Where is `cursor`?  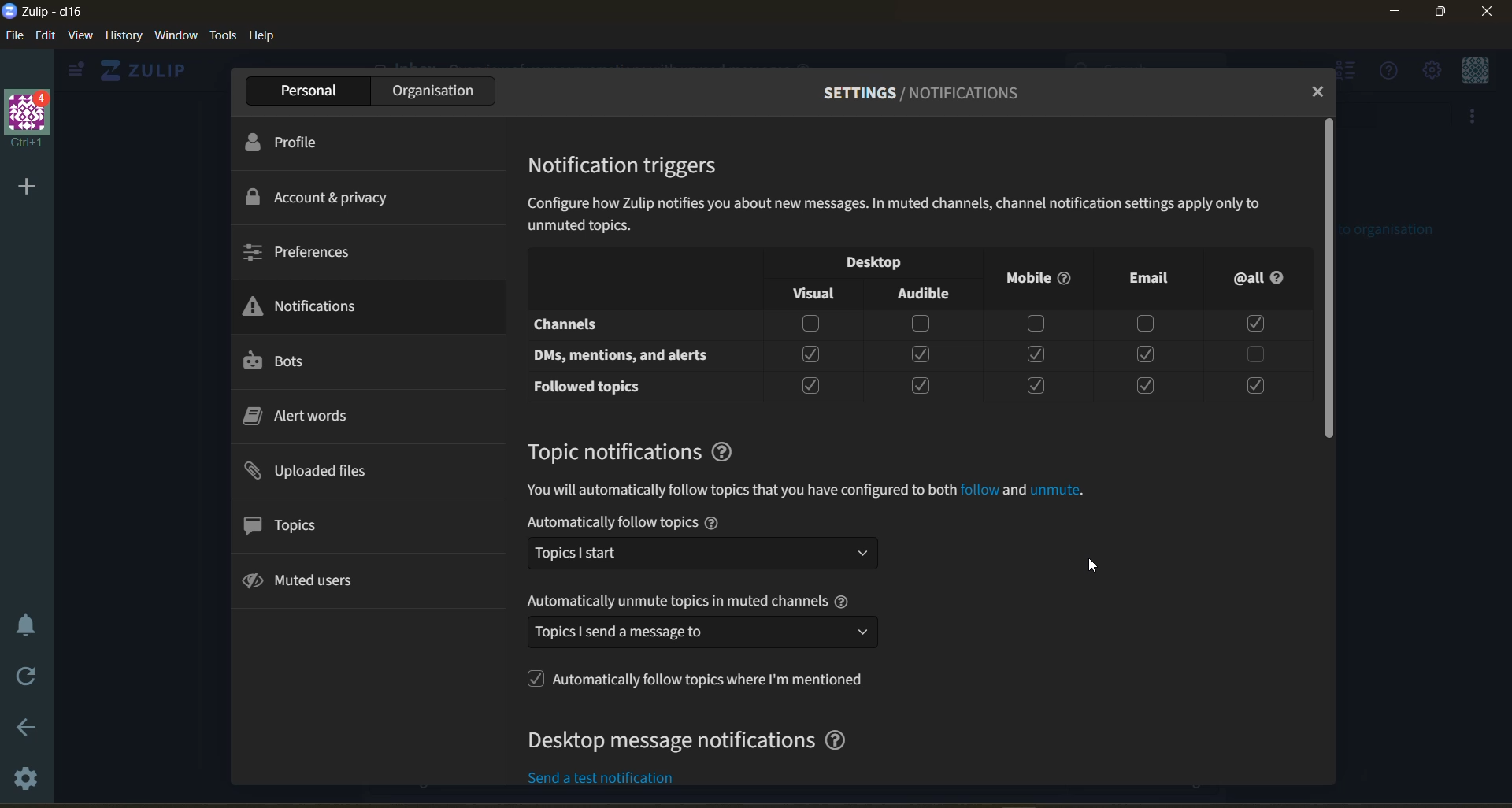
cursor is located at coordinates (1093, 562).